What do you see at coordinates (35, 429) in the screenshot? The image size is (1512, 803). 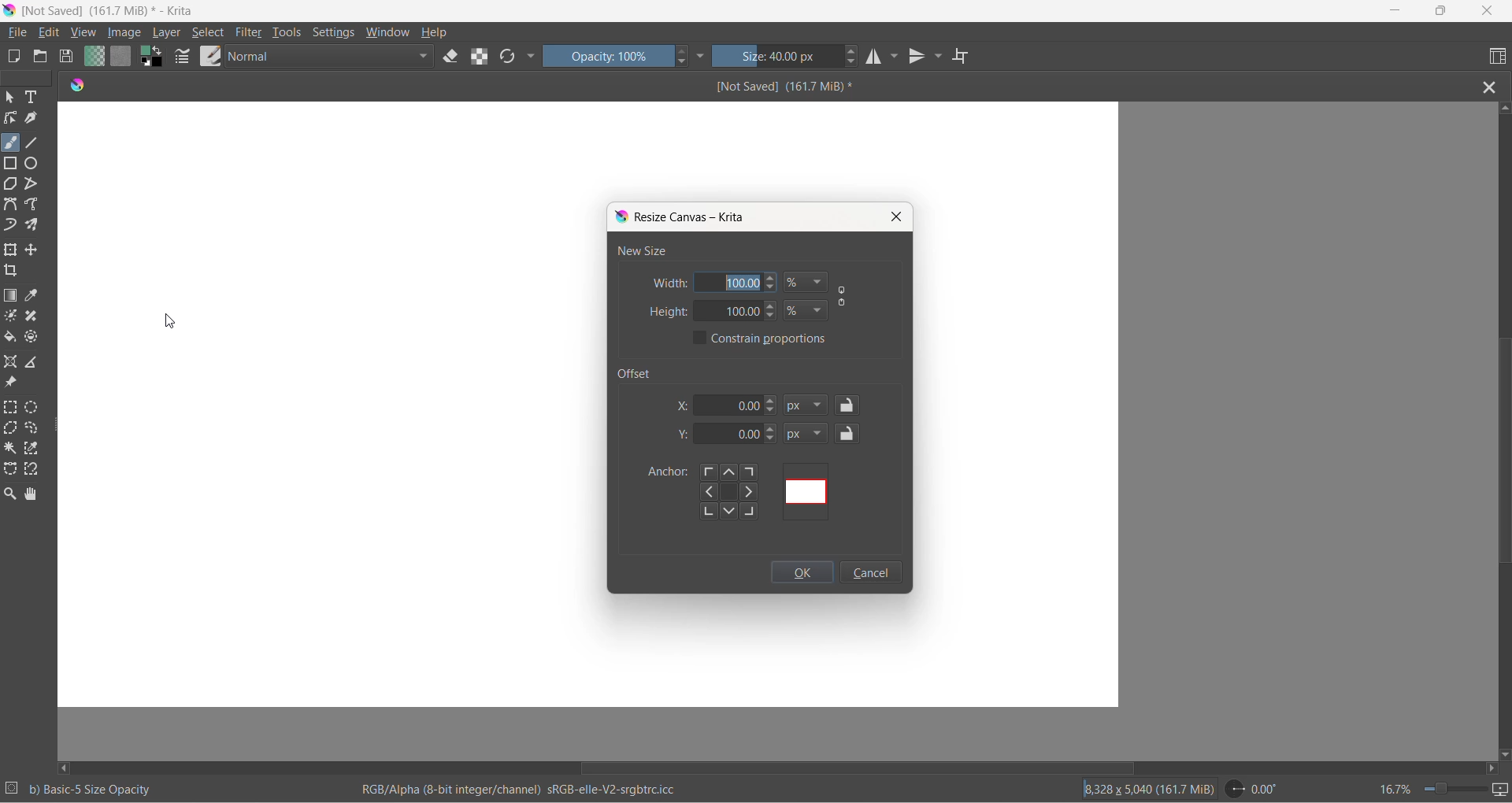 I see `freehand selection tool` at bounding box center [35, 429].